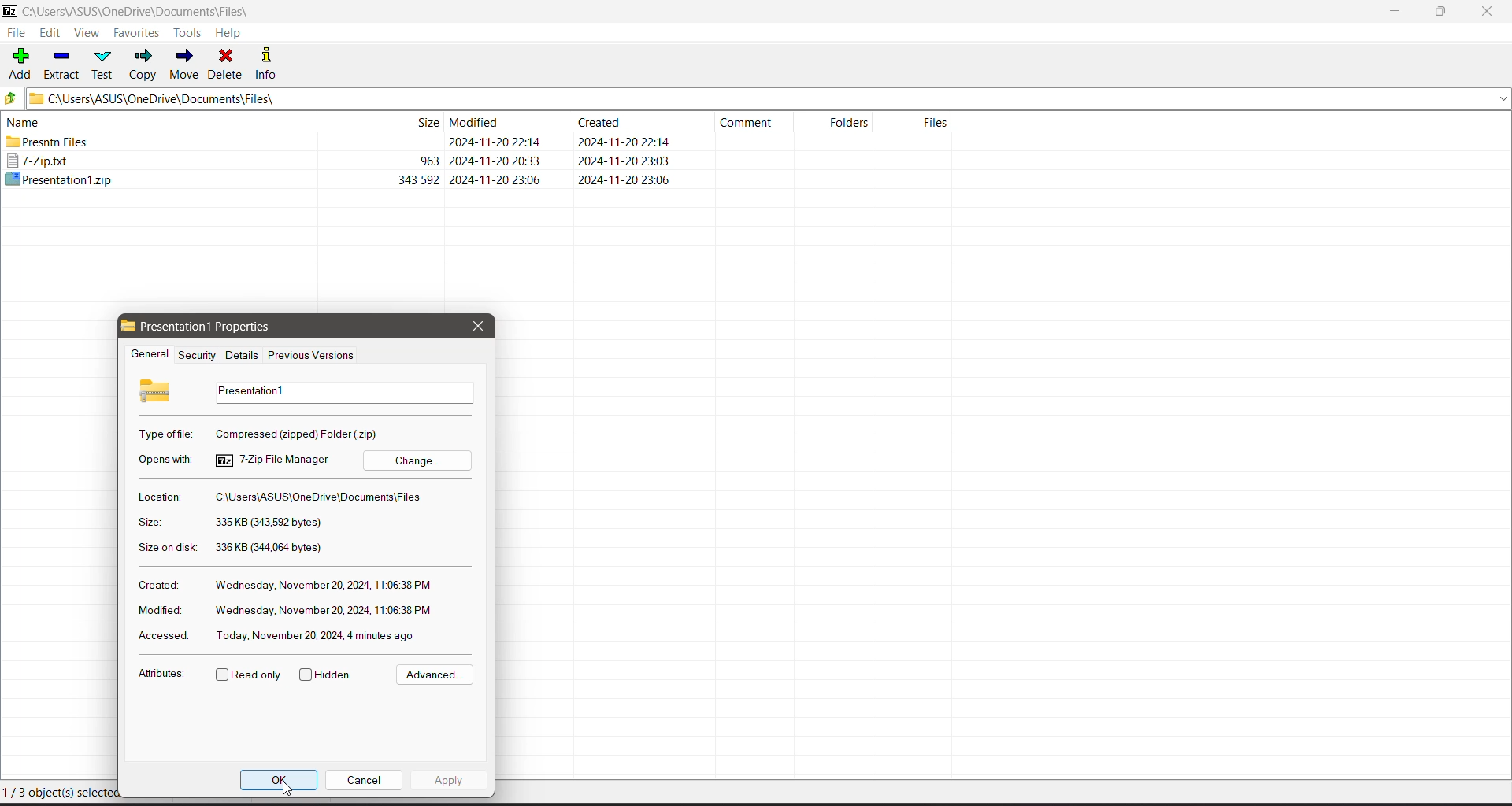 The image size is (1512, 806). What do you see at coordinates (769, 98) in the screenshot?
I see `Current Folder Path` at bounding box center [769, 98].